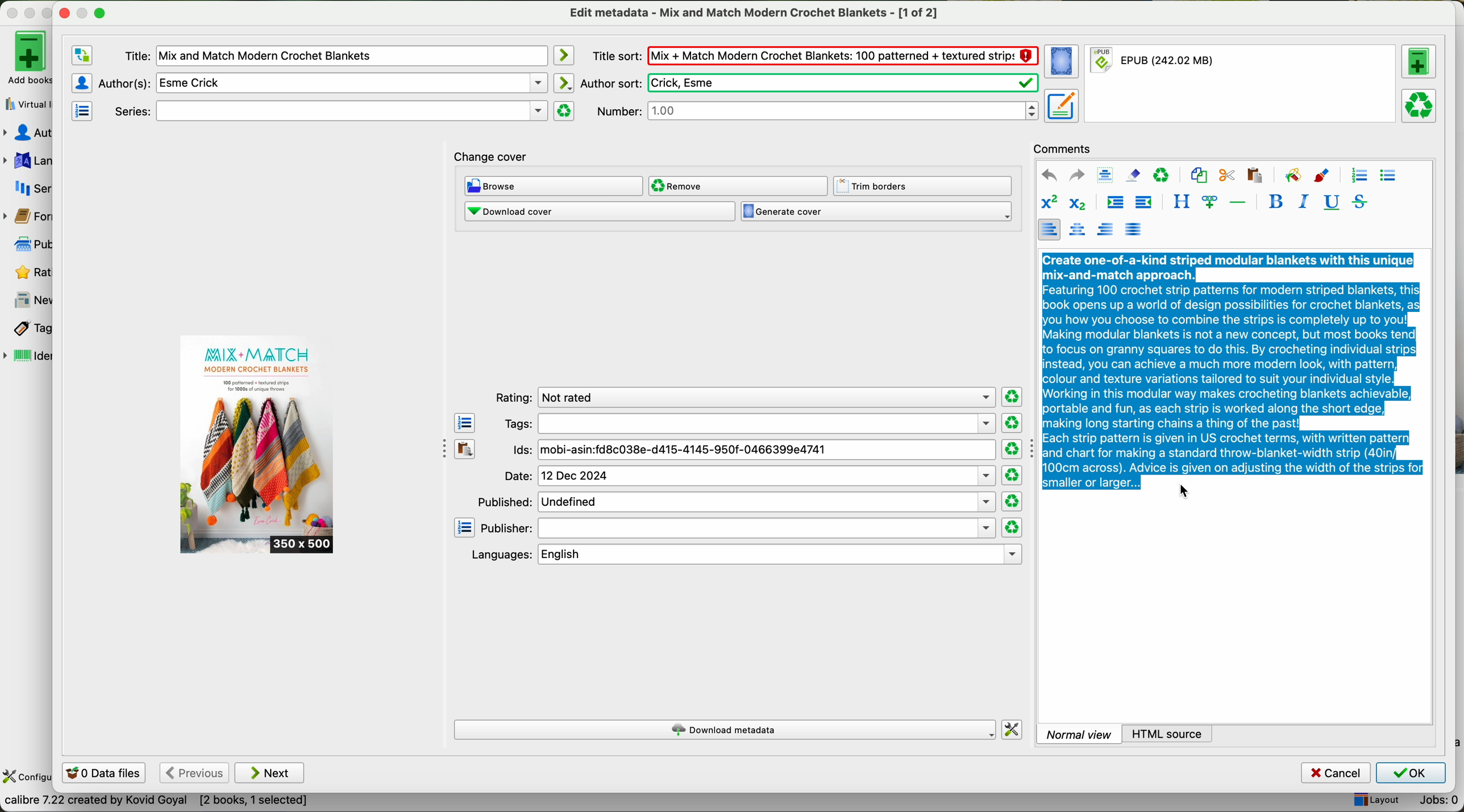  What do you see at coordinates (1301, 201) in the screenshot?
I see `italic` at bounding box center [1301, 201].